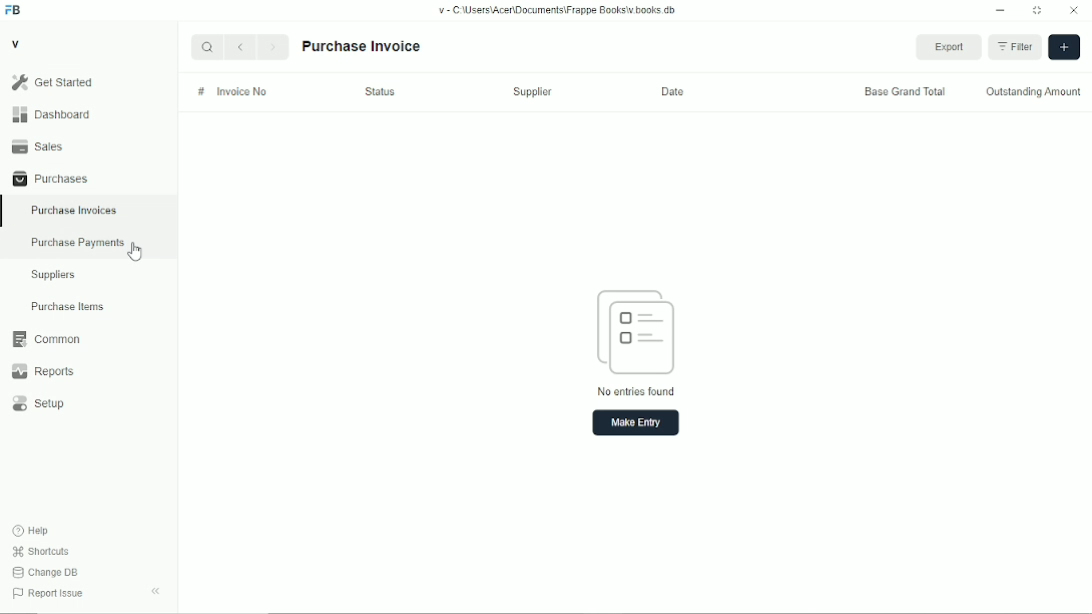 The width and height of the screenshot is (1092, 614). What do you see at coordinates (1000, 10) in the screenshot?
I see `Minimize` at bounding box center [1000, 10].